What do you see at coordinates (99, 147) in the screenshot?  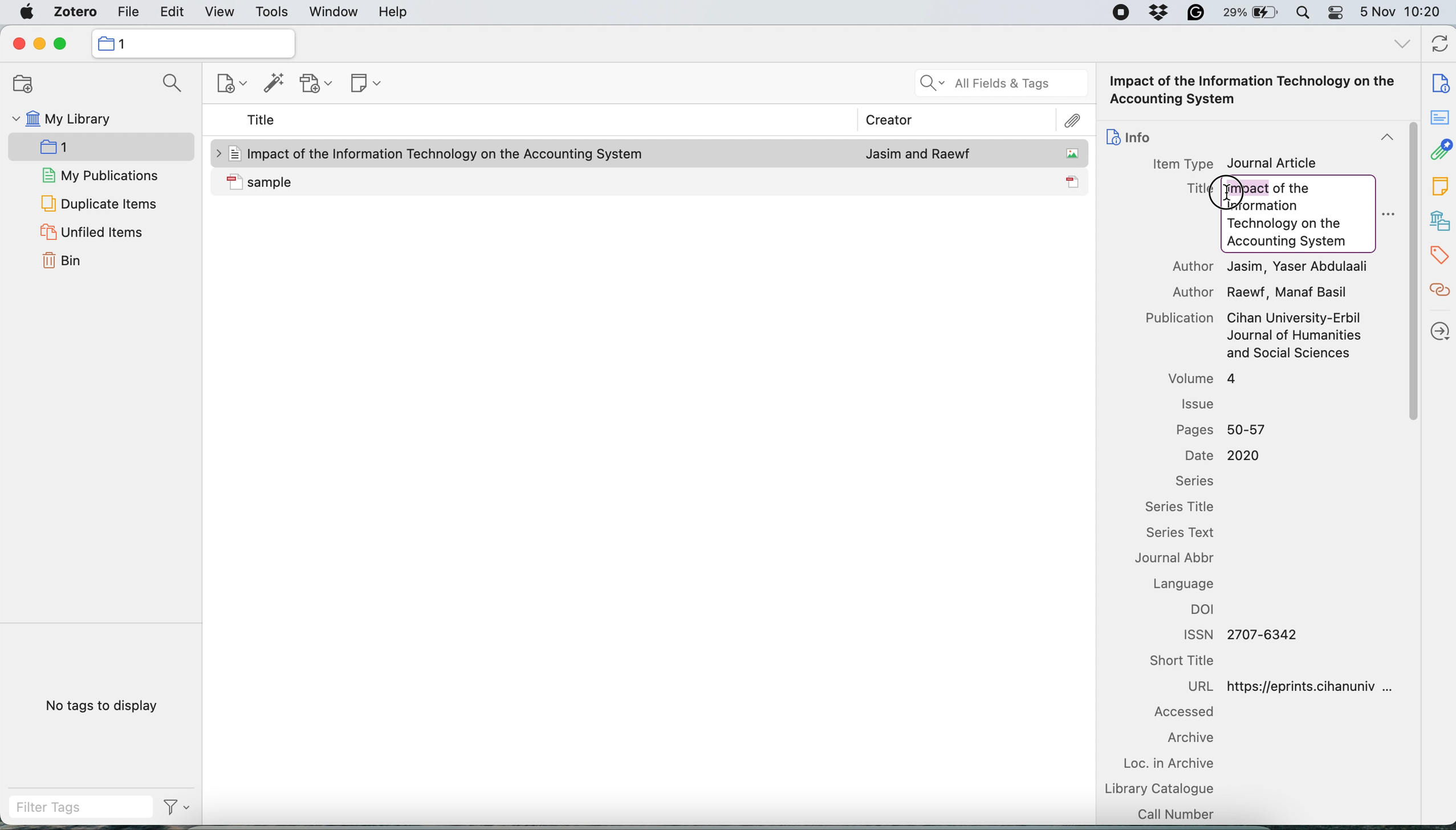 I see `new collection` at bounding box center [99, 147].